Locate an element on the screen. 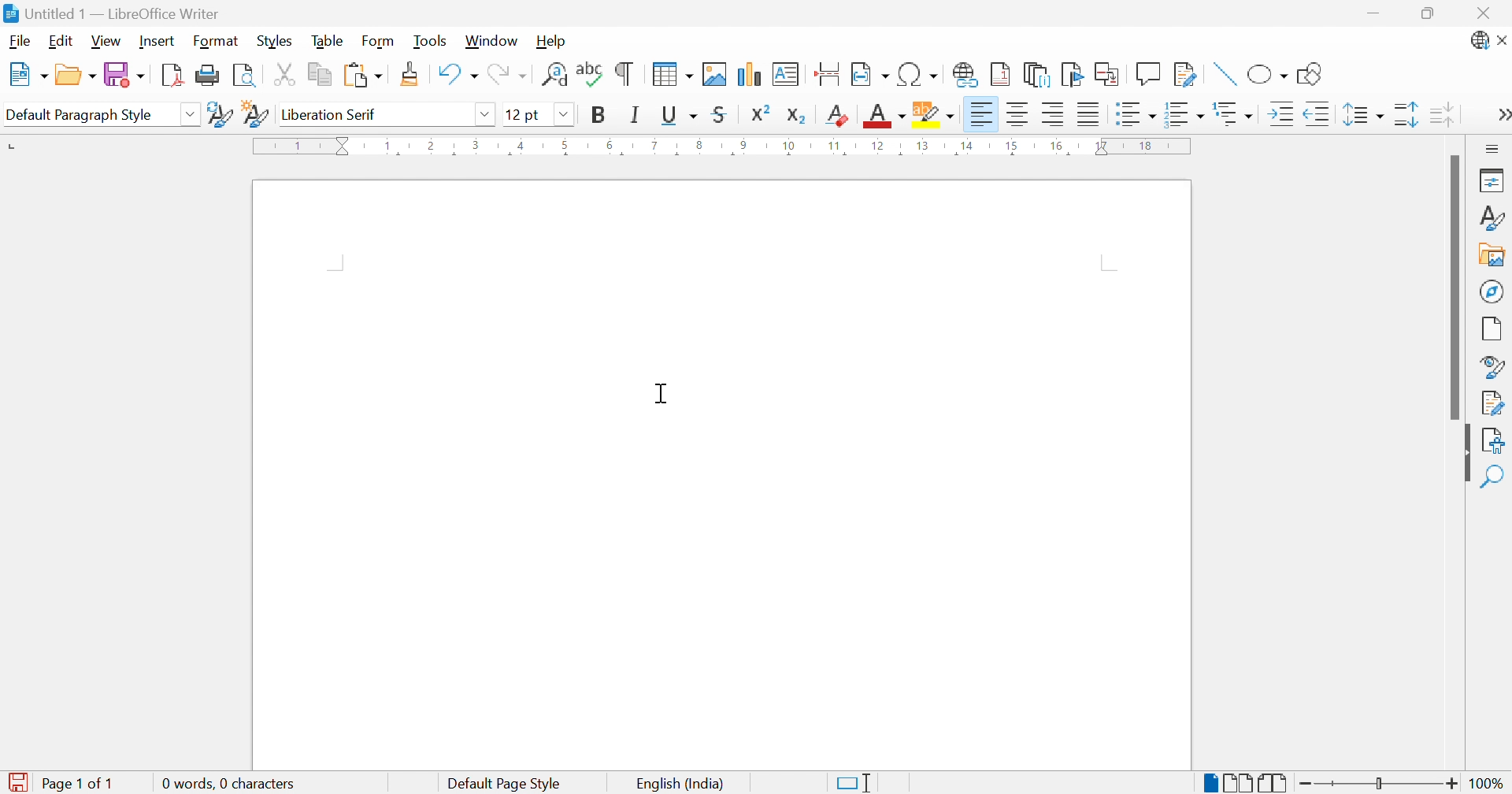  Insert chart is located at coordinates (751, 76).